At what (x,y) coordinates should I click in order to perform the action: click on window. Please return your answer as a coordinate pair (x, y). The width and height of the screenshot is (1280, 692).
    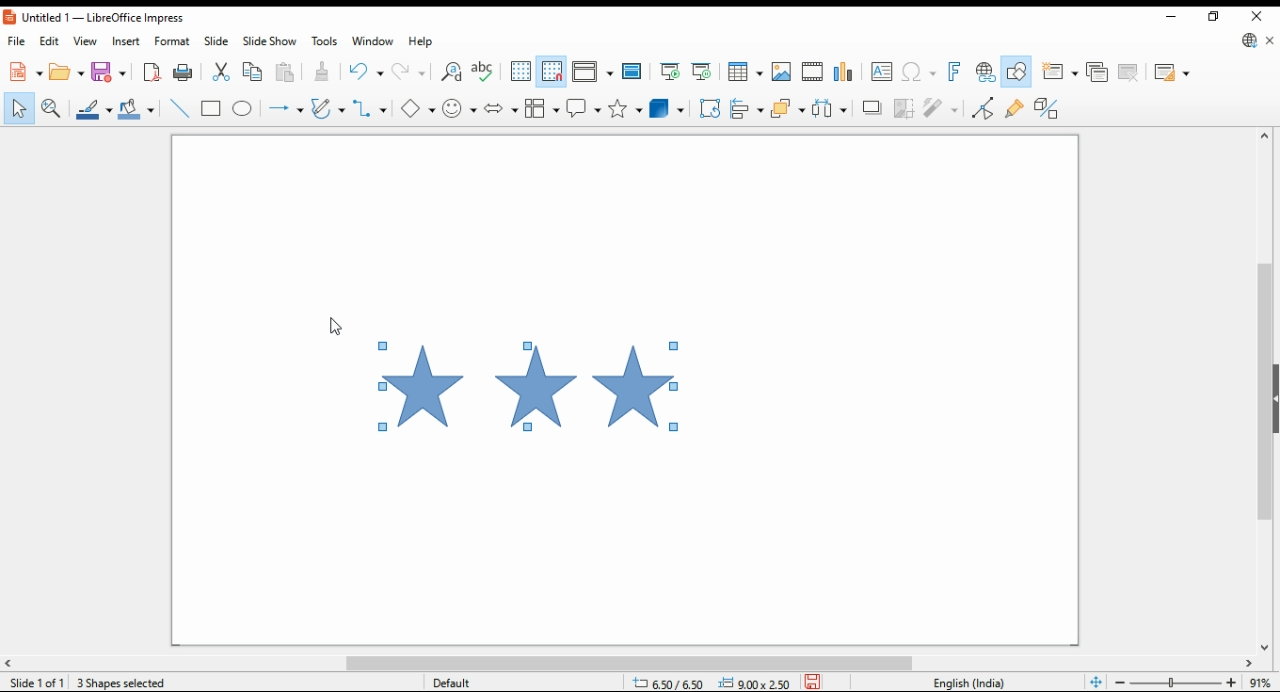
    Looking at the image, I should click on (373, 43).